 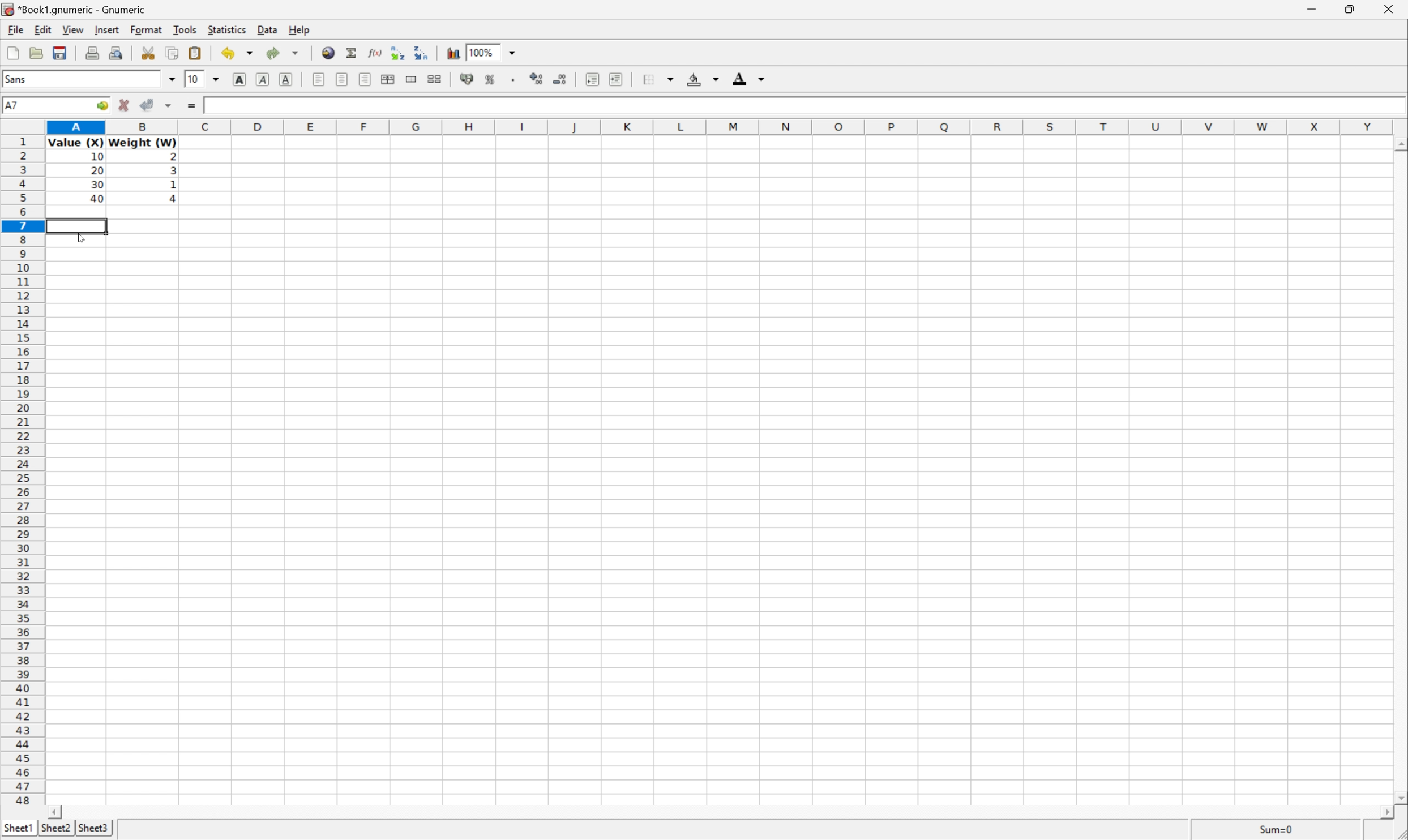 I want to click on Italic, so click(x=264, y=78).